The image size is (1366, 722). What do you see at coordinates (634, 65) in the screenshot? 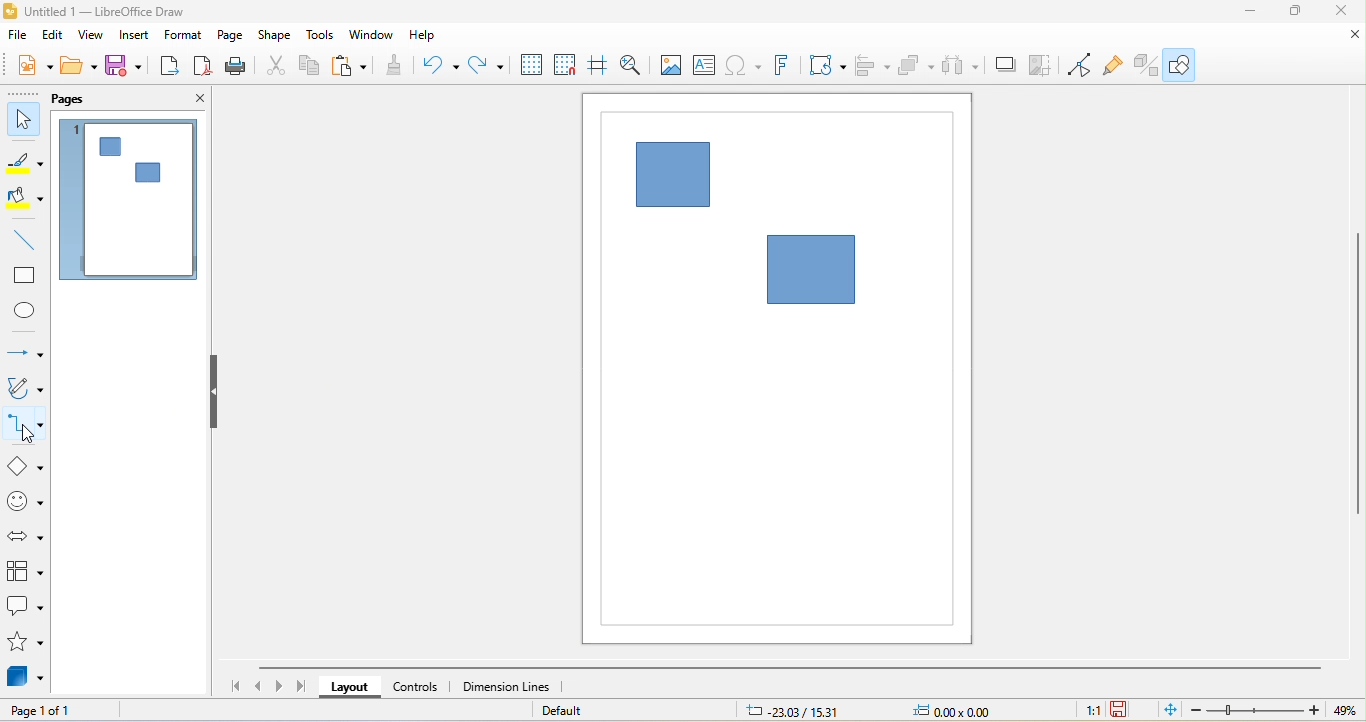
I see `zoom and pan` at bounding box center [634, 65].